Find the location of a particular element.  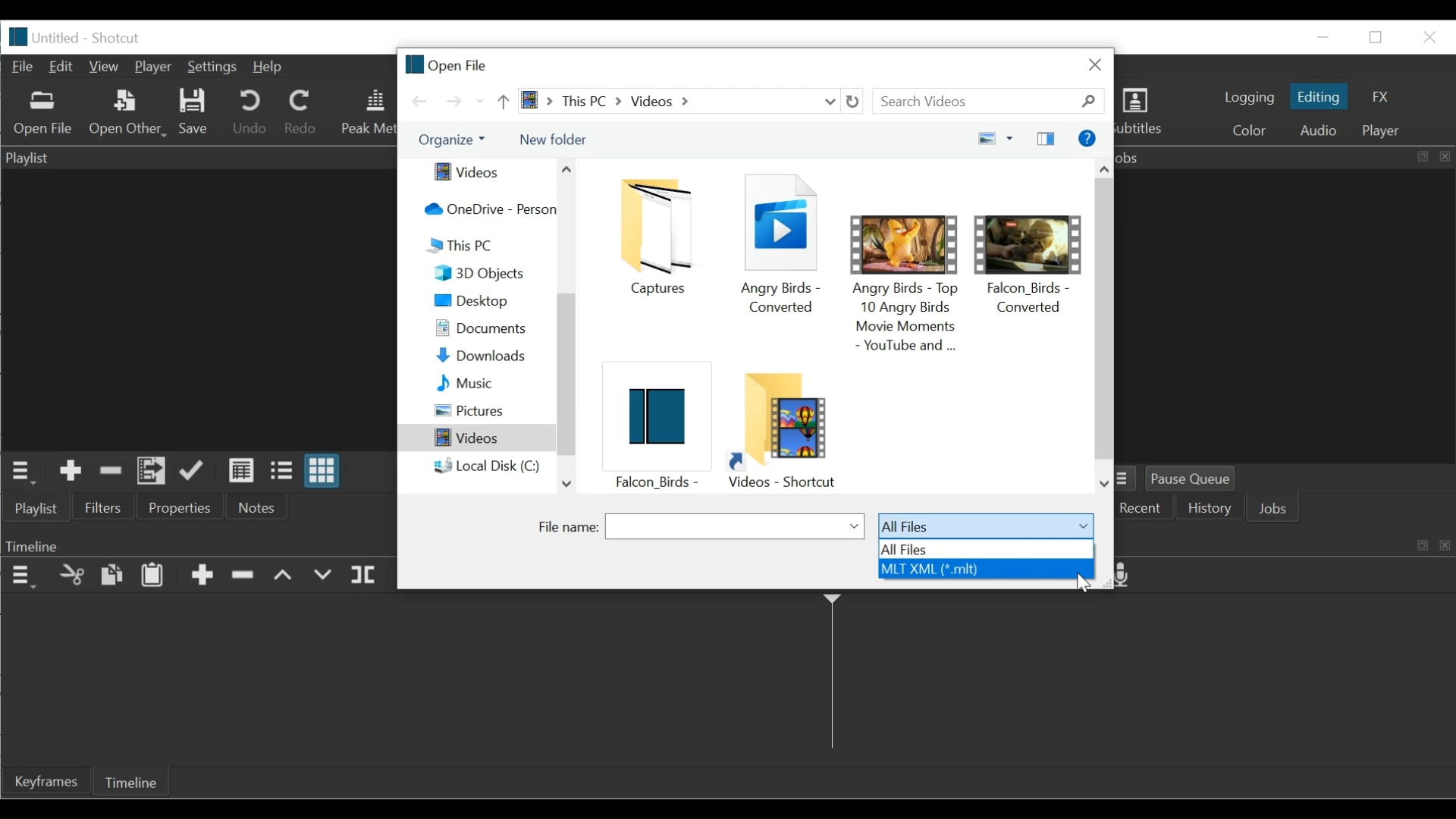

Timeline is located at coordinates (130, 781).